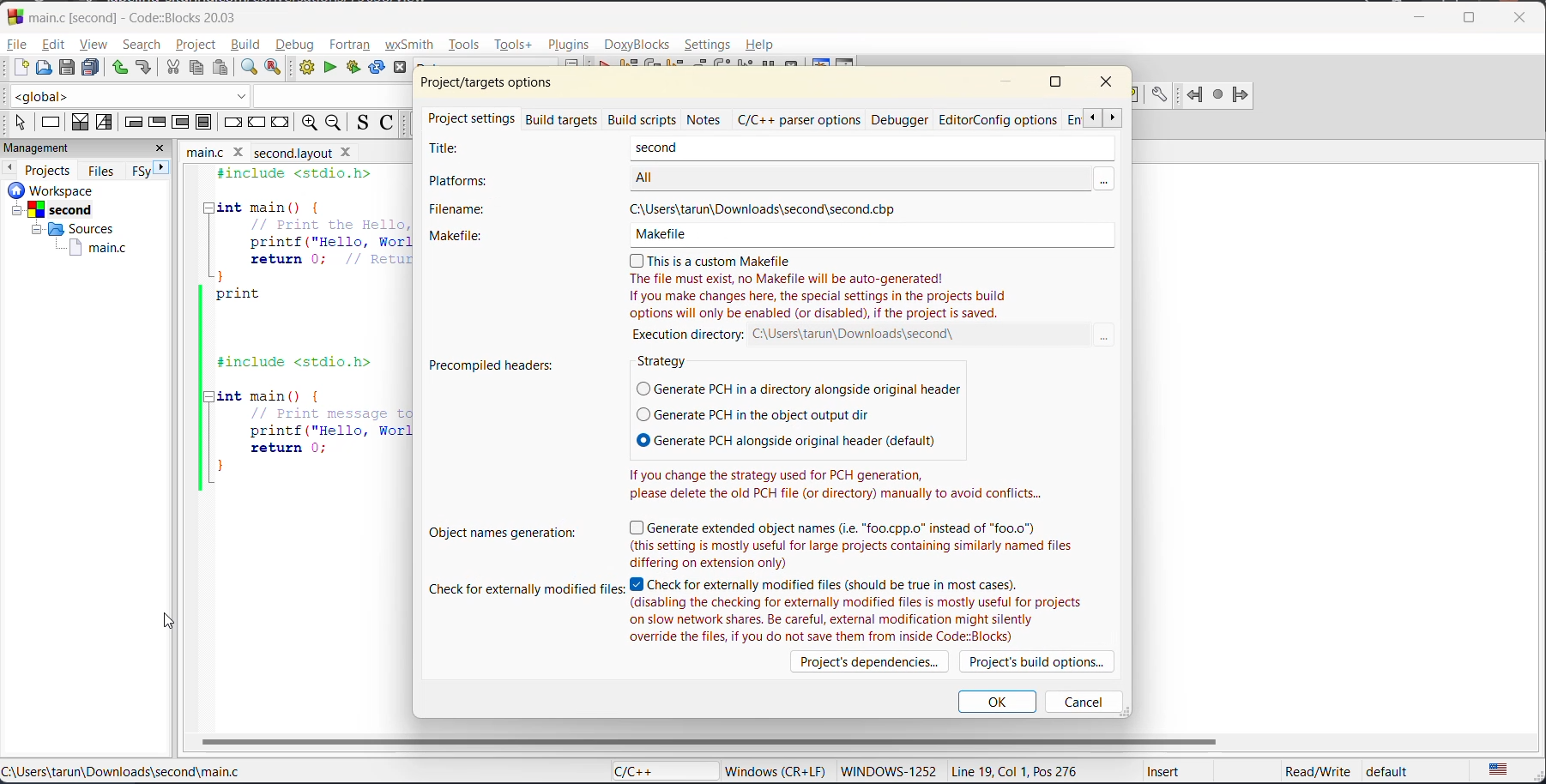 This screenshot has height=784, width=1546. What do you see at coordinates (46, 169) in the screenshot?
I see `projects` at bounding box center [46, 169].